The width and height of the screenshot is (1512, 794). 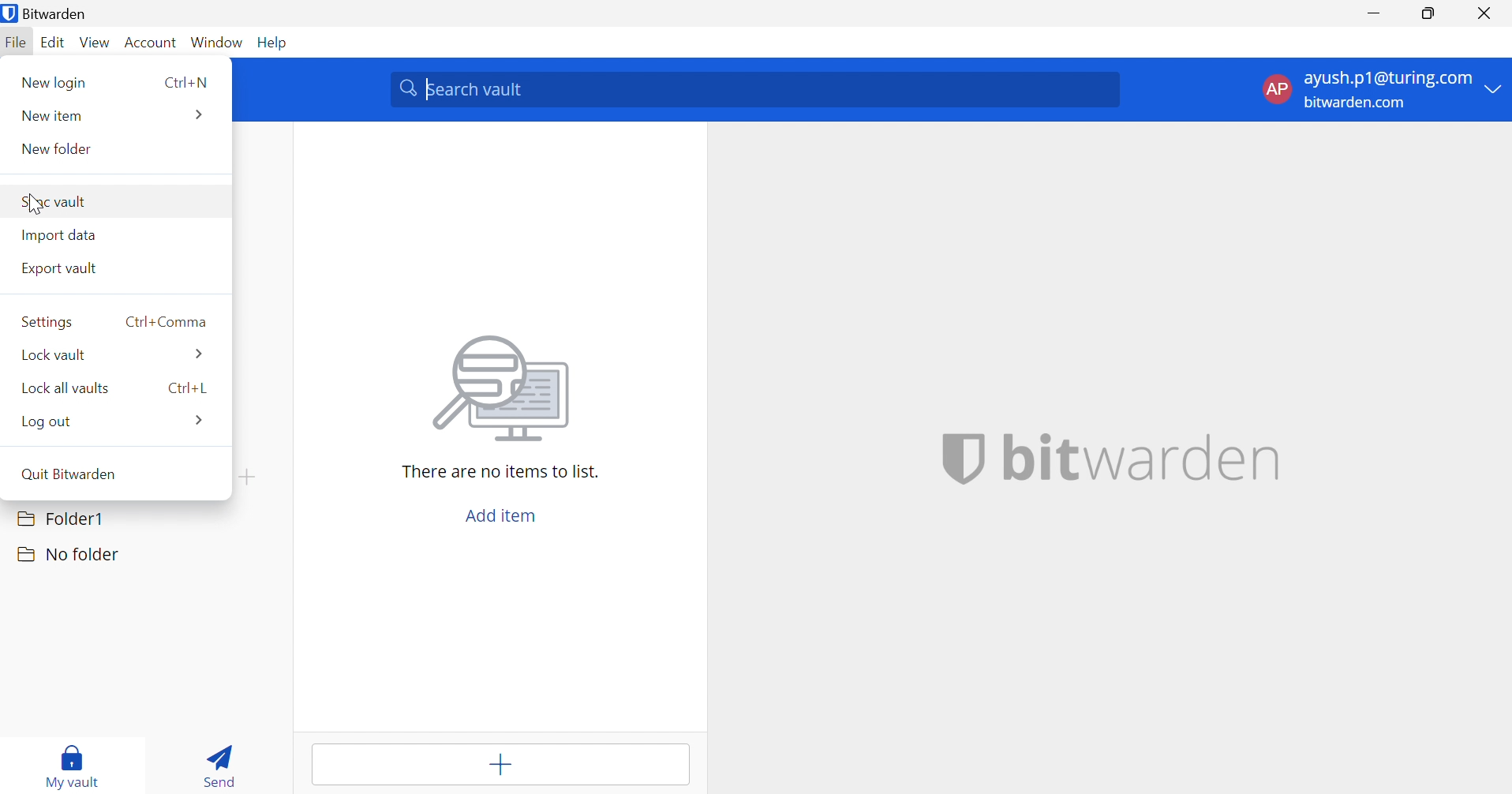 What do you see at coordinates (223, 762) in the screenshot?
I see `Send` at bounding box center [223, 762].